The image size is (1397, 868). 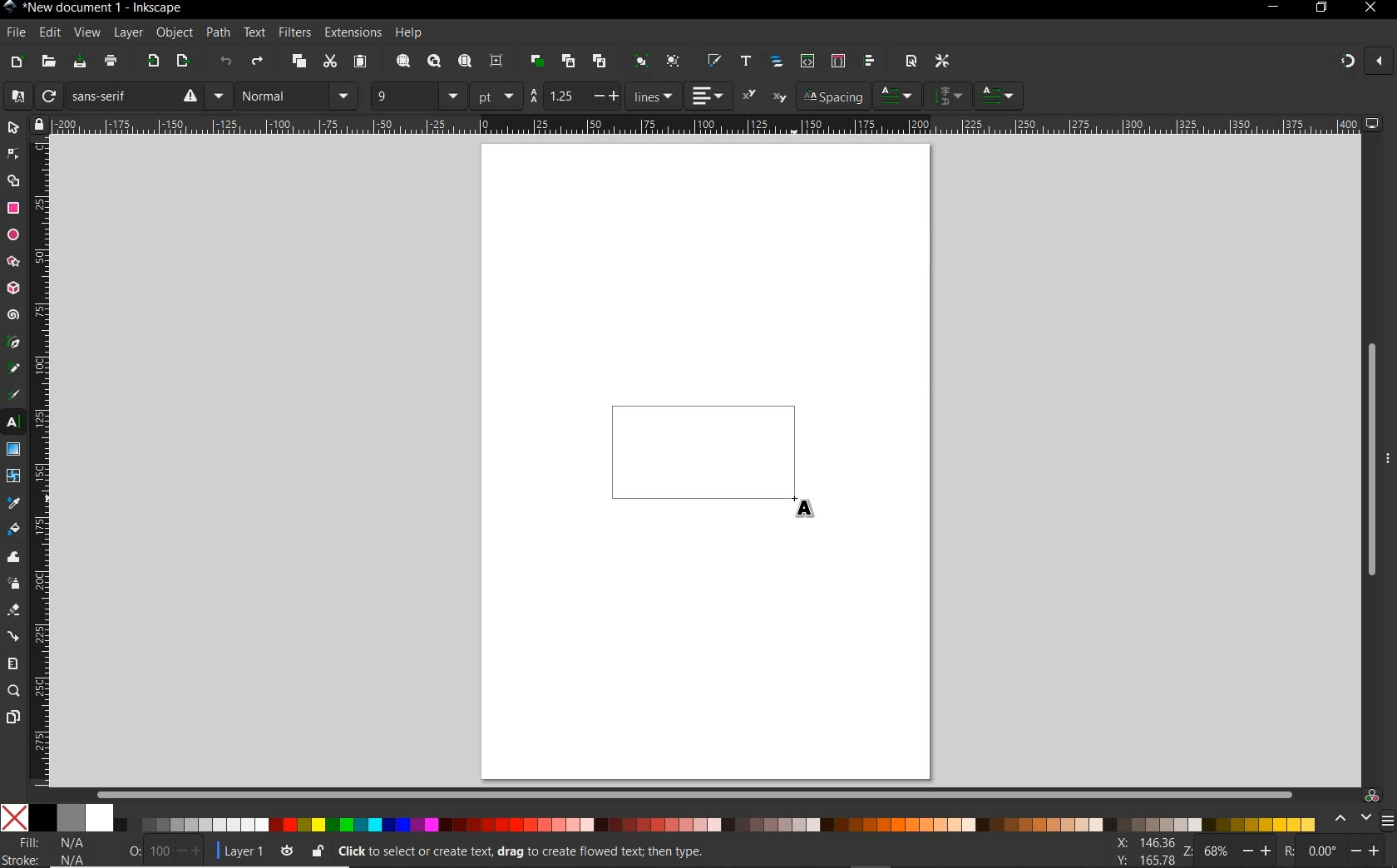 What do you see at coordinates (37, 124) in the screenshot?
I see `lock` at bounding box center [37, 124].